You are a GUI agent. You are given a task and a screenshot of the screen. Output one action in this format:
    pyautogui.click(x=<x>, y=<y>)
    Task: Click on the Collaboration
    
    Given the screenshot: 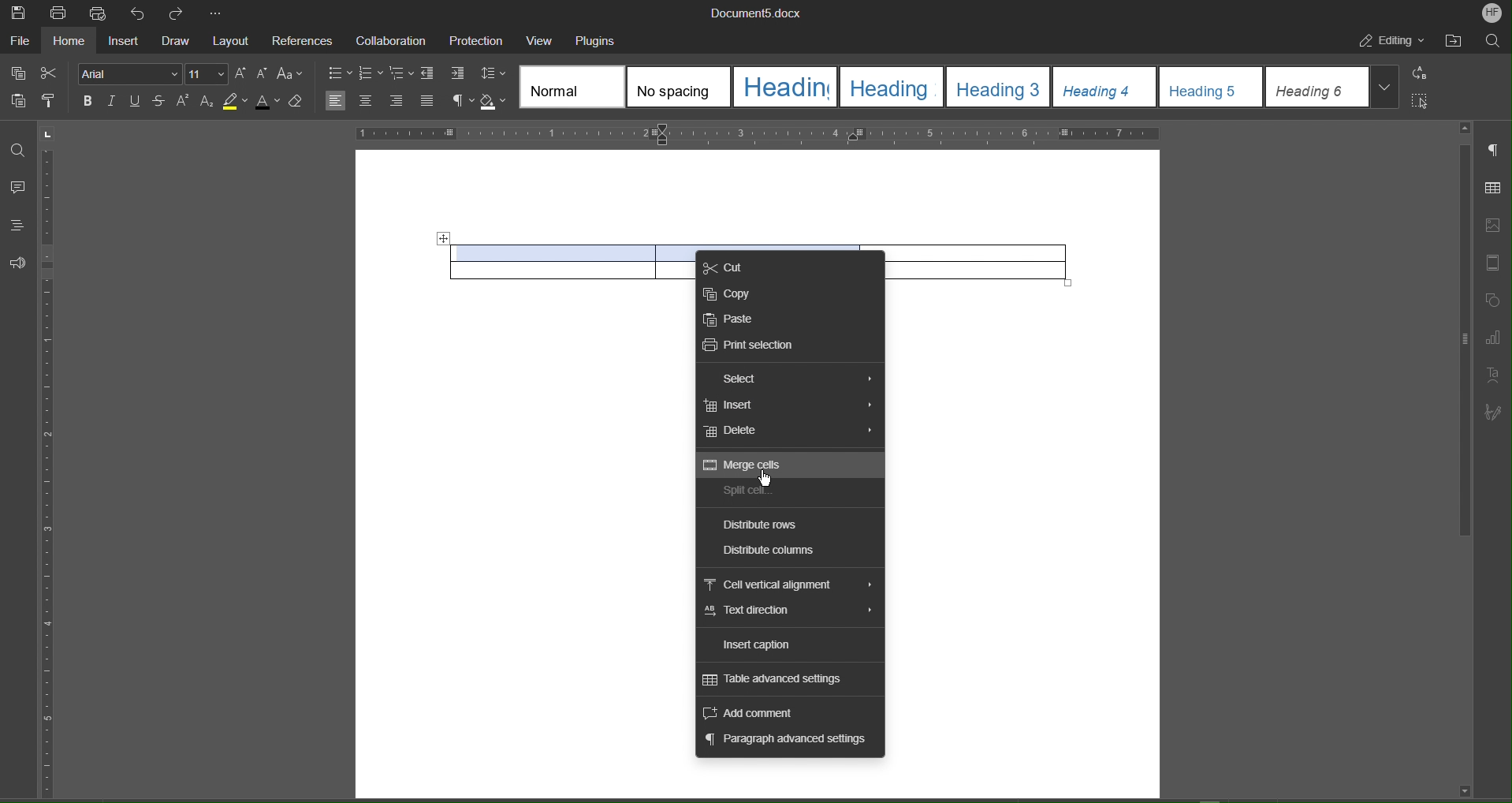 What is the action you would take?
    pyautogui.click(x=391, y=41)
    